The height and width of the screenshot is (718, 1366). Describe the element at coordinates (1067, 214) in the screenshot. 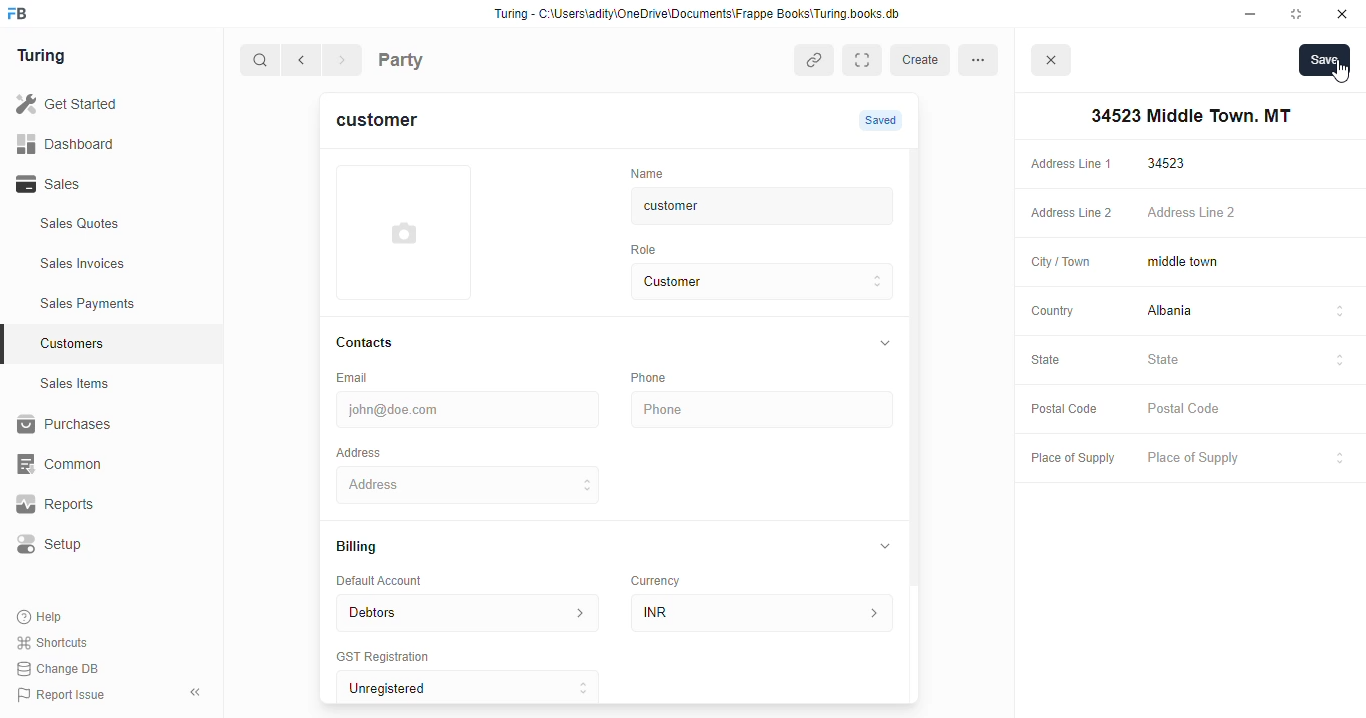

I see `Address Line 2` at that location.